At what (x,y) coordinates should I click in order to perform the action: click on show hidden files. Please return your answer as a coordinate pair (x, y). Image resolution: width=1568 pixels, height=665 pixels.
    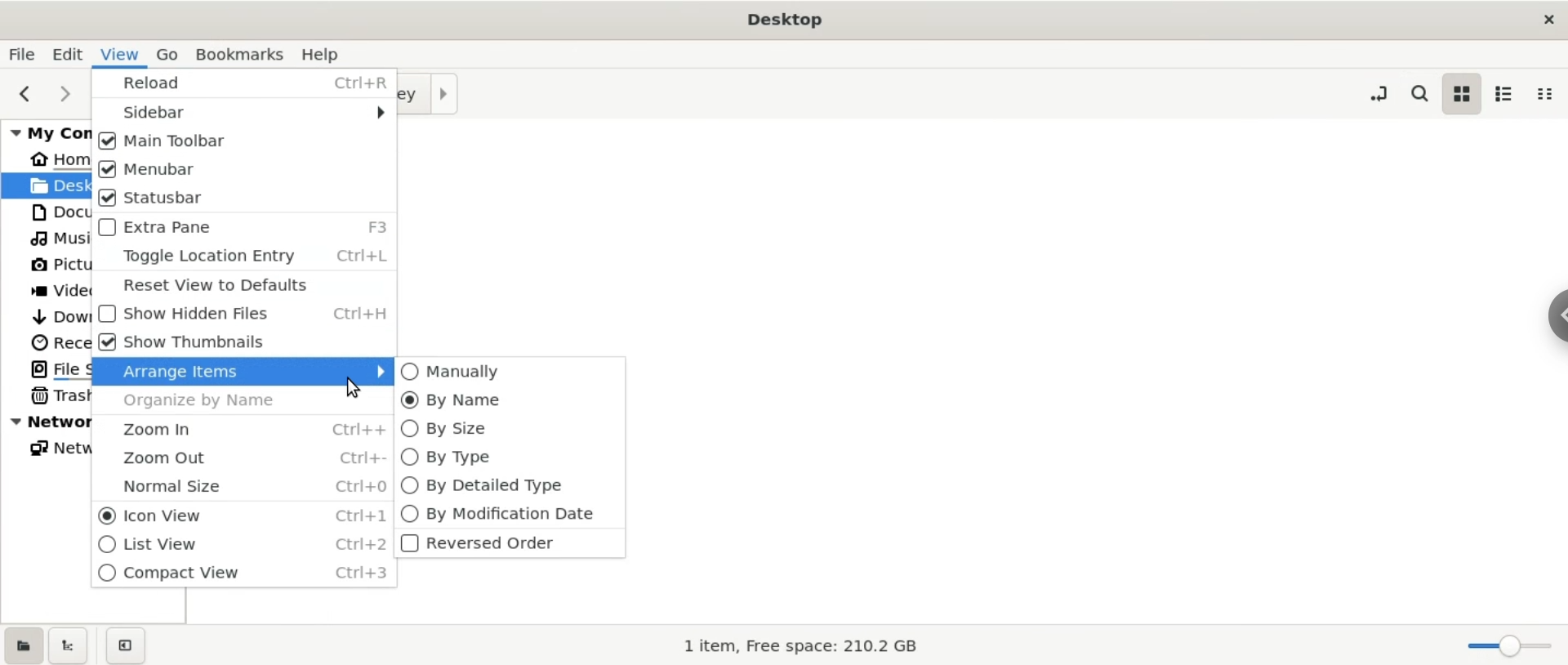
    Looking at the image, I should click on (242, 313).